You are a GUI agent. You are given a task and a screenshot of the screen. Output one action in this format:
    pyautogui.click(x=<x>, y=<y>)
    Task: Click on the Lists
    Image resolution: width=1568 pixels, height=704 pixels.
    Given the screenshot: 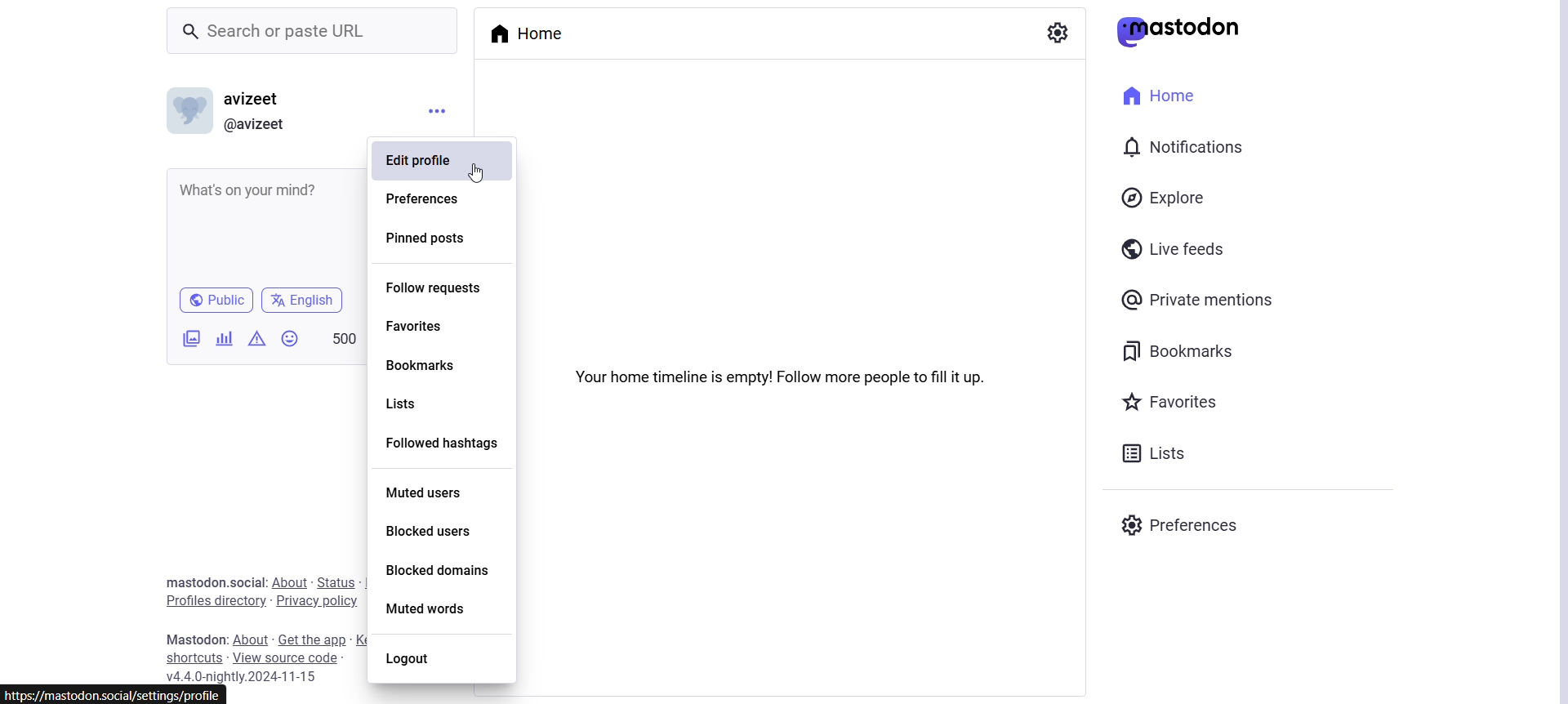 What is the action you would take?
    pyautogui.click(x=1160, y=453)
    